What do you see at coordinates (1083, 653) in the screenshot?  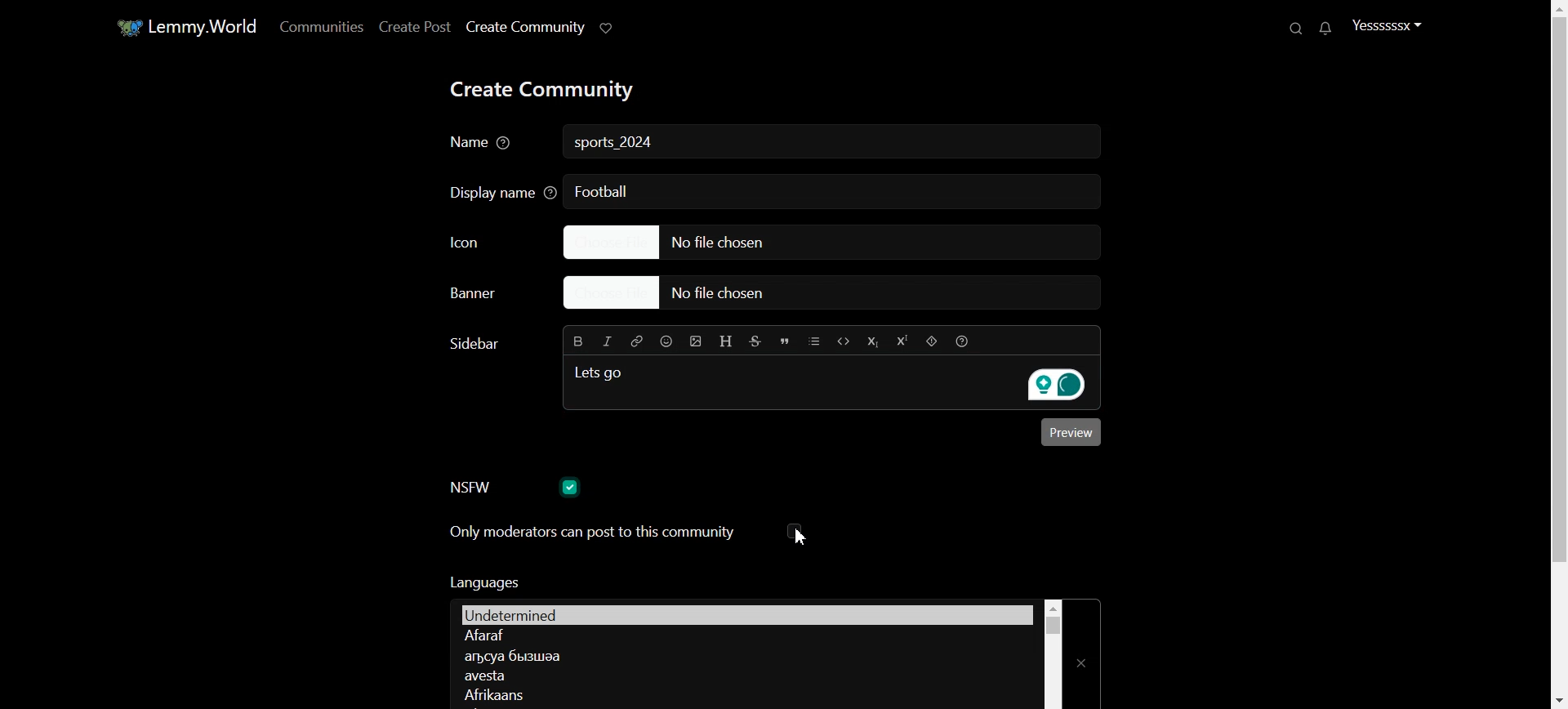 I see `Close Window` at bounding box center [1083, 653].